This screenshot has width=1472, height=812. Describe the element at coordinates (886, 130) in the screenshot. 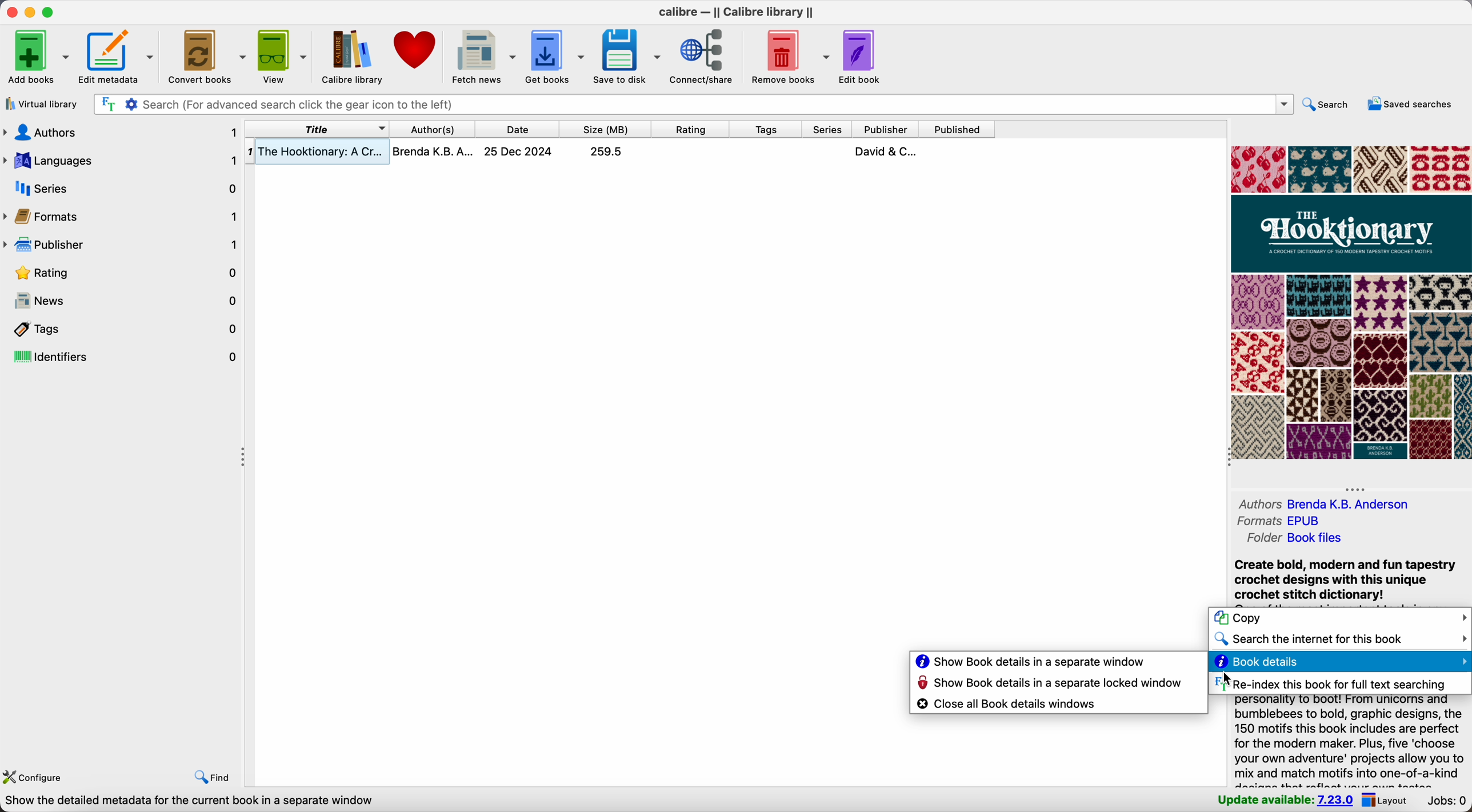

I see `publisher` at that location.